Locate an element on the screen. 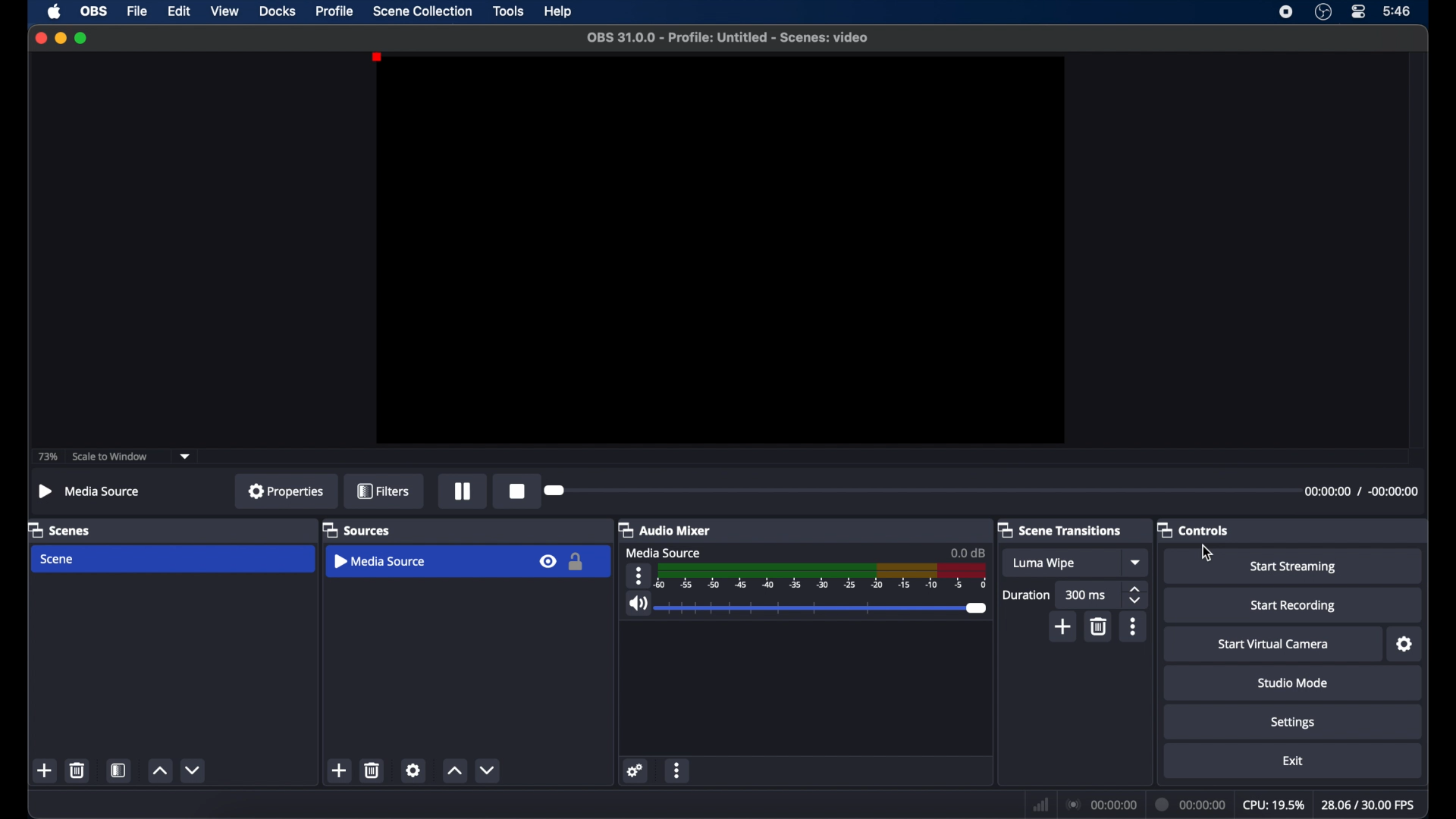 The height and width of the screenshot is (819, 1456). decrement is located at coordinates (487, 769).